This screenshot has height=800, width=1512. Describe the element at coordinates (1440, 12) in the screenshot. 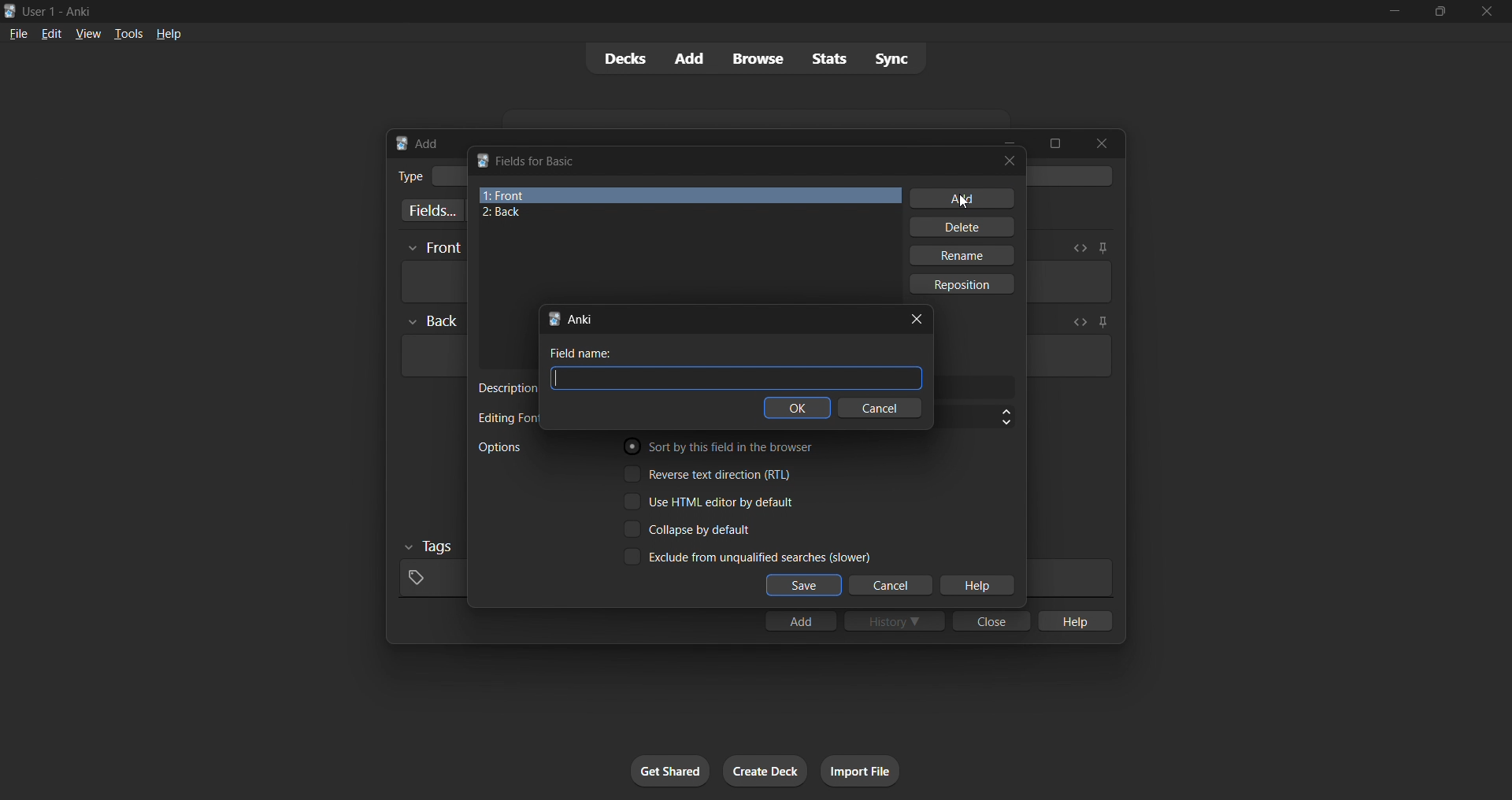

I see `maximize/restore` at that location.